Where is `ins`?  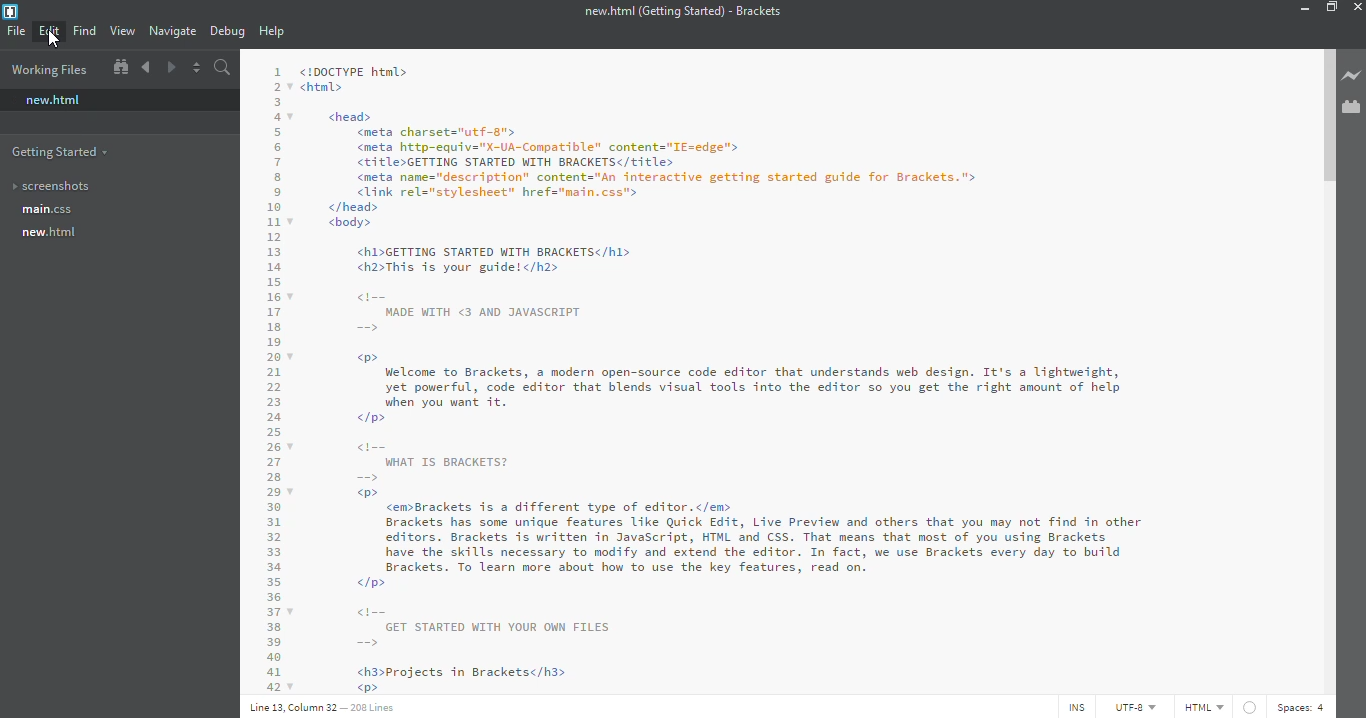
ins is located at coordinates (1074, 707).